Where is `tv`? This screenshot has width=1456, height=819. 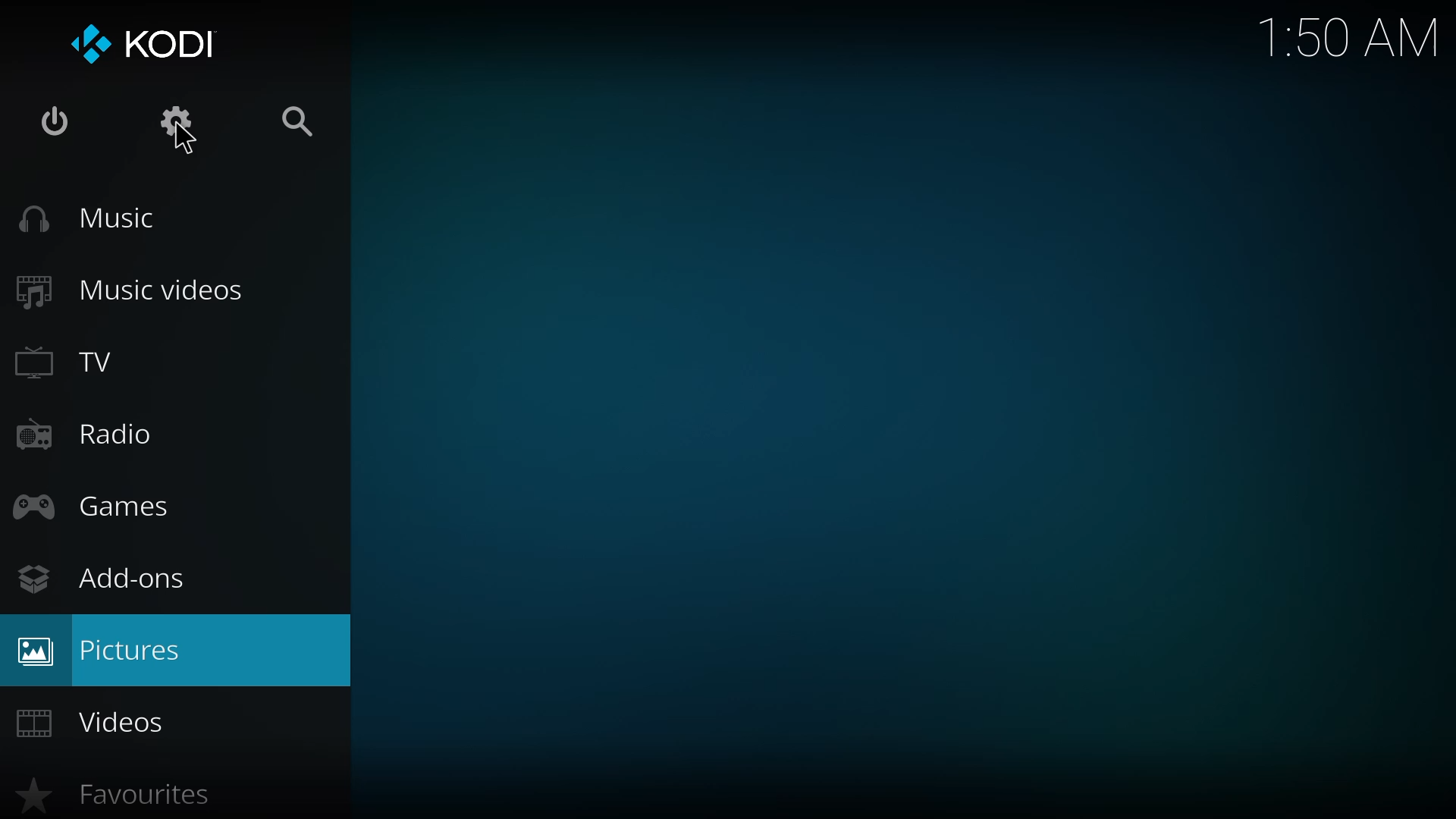 tv is located at coordinates (69, 365).